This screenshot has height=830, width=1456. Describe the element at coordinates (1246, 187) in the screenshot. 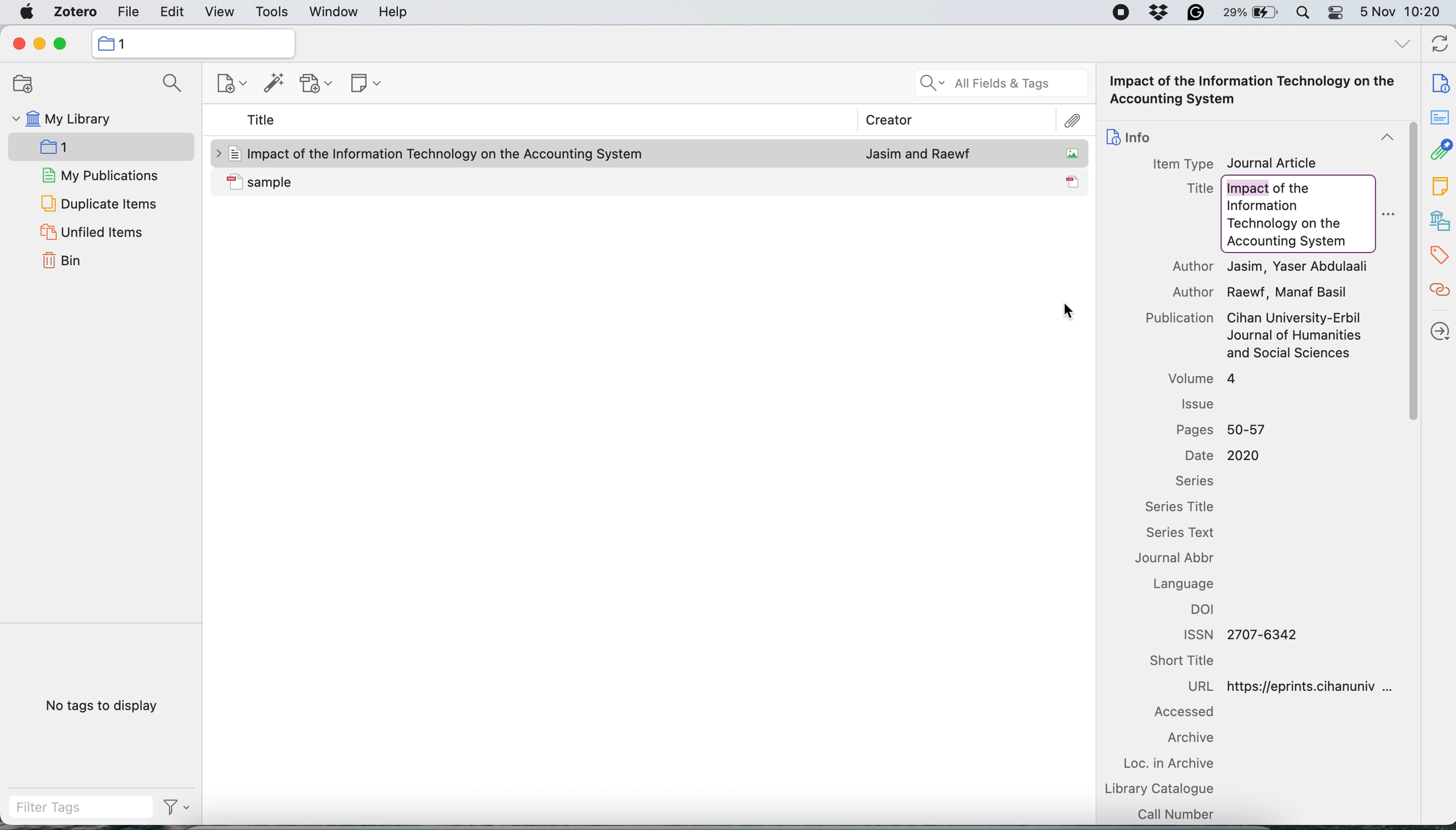

I see `highlight Impact word to change` at that location.